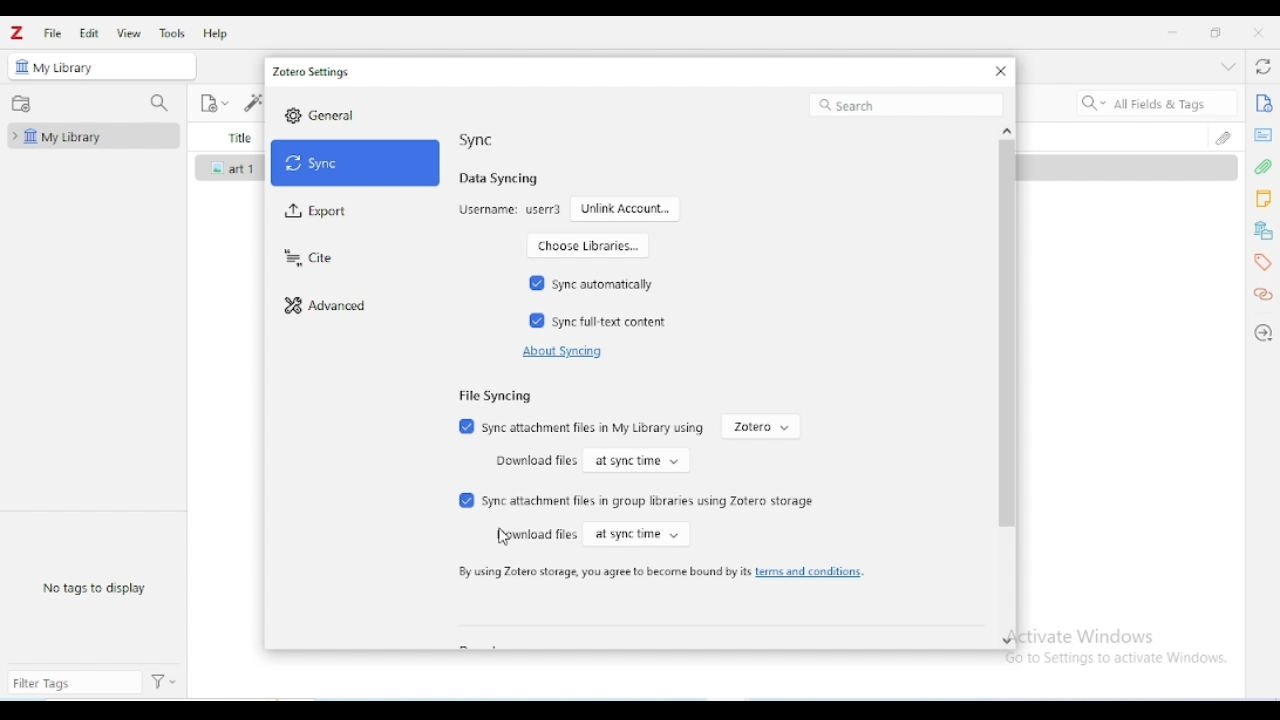  What do you see at coordinates (494, 395) in the screenshot?
I see `file syncing` at bounding box center [494, 395].